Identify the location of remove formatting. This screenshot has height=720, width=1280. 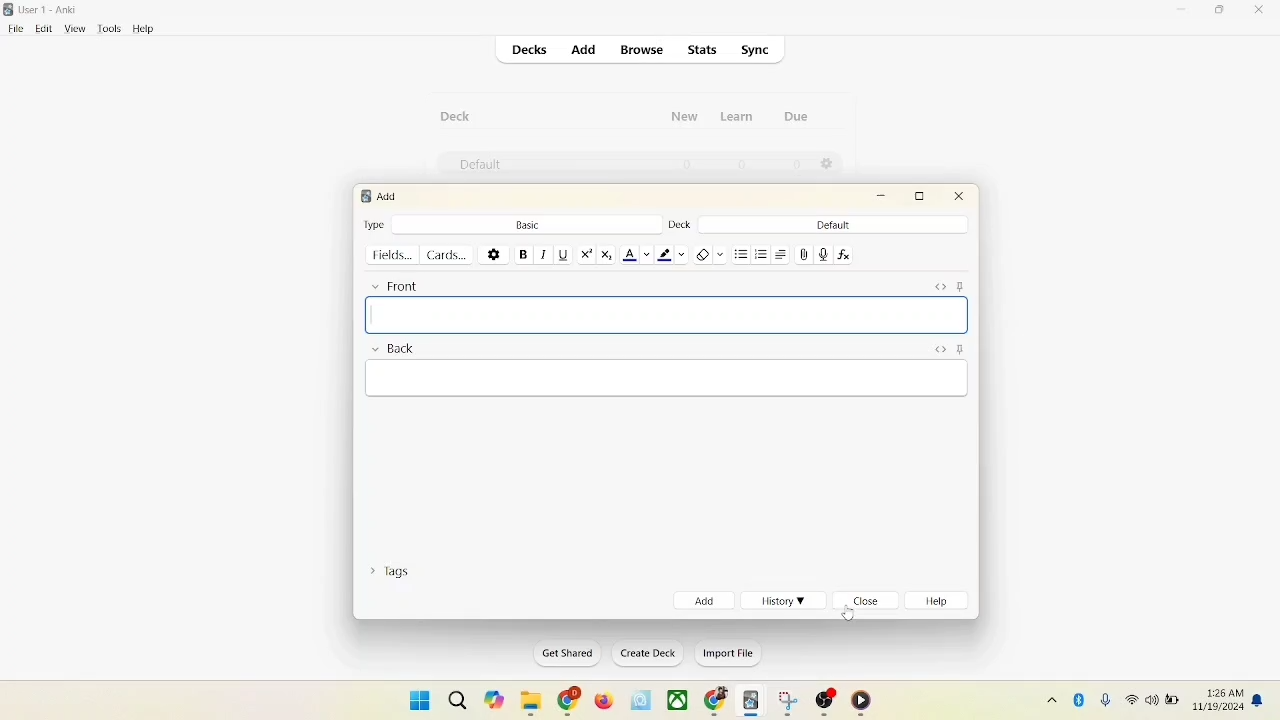
(708, 253).